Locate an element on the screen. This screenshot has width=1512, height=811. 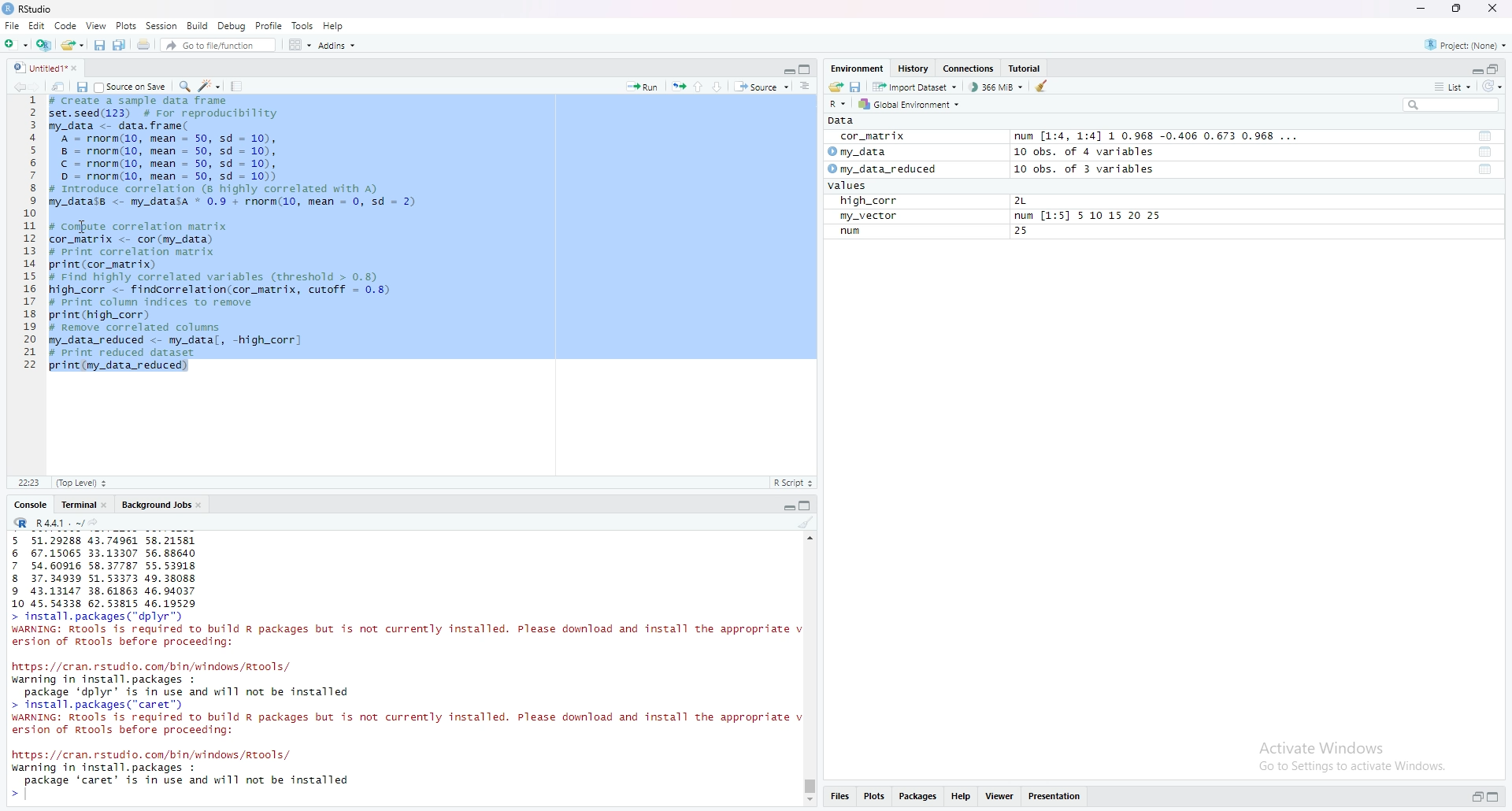
Addins is located at coordinates (339, 46).